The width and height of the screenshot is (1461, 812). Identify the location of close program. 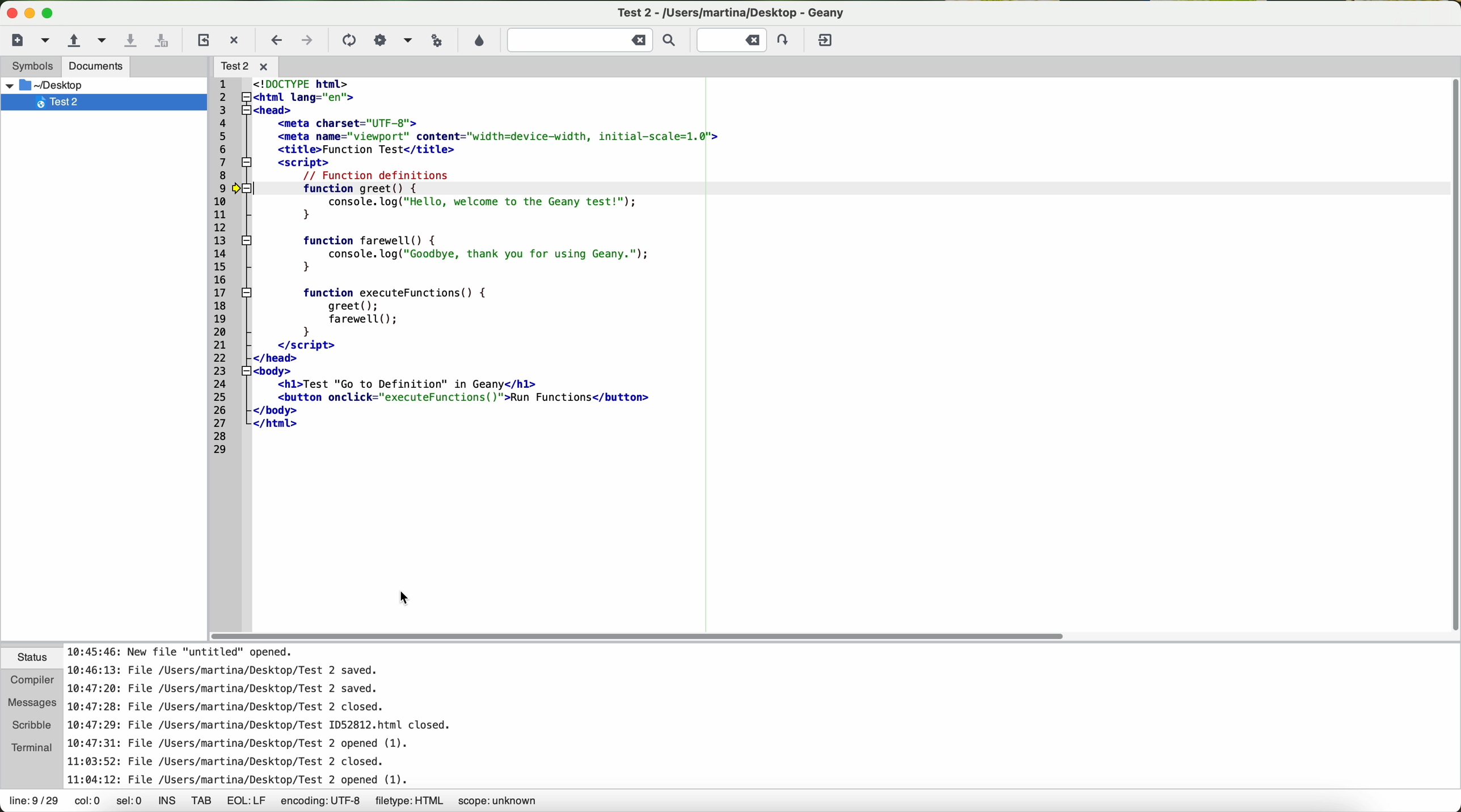
(9, 10).